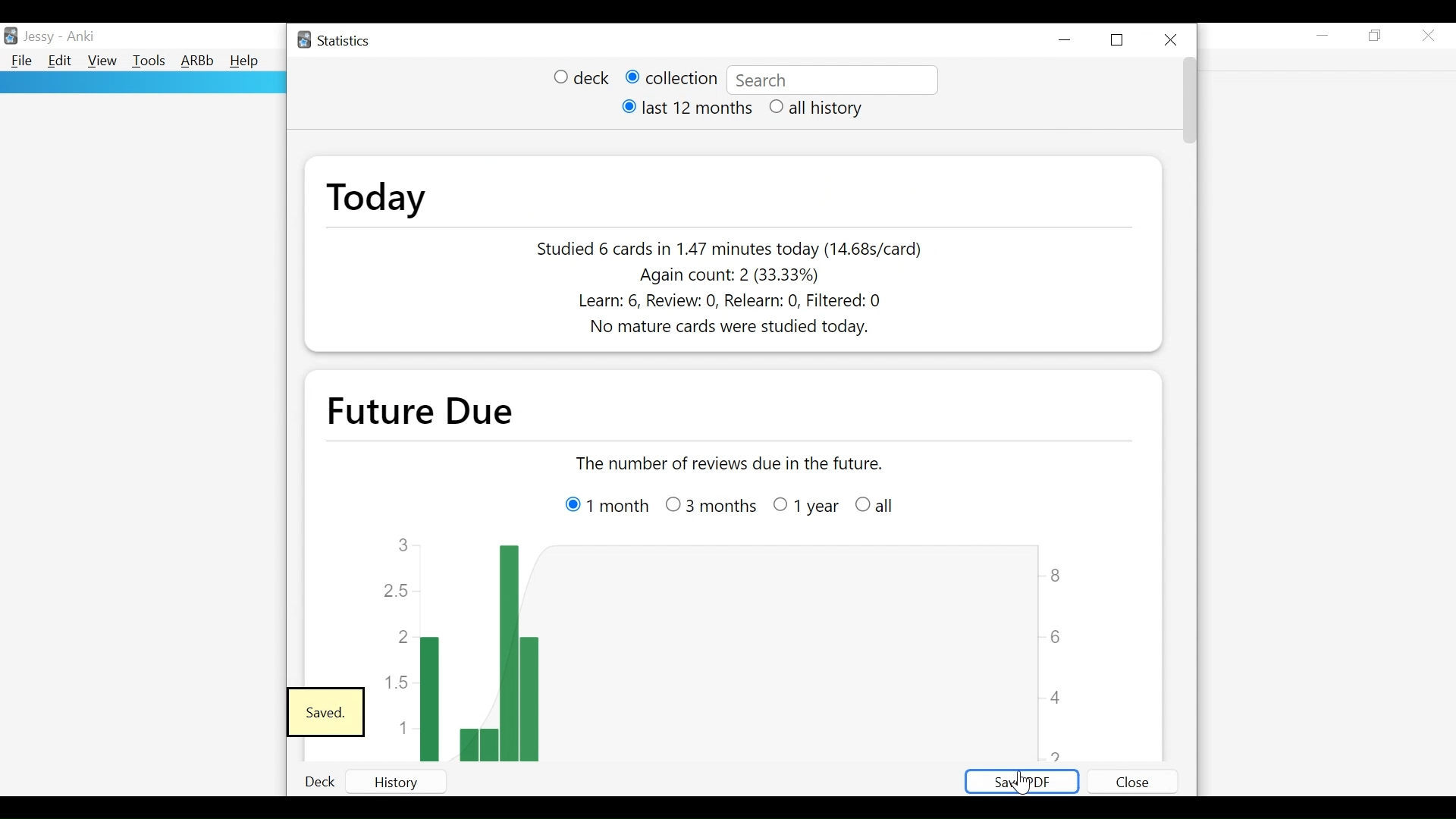 The height and width of the screenshot is (819, 1456). What do you see at coordinates (375, 199) in the screenshot?
I see `Today` at bounding box center [375, 199].